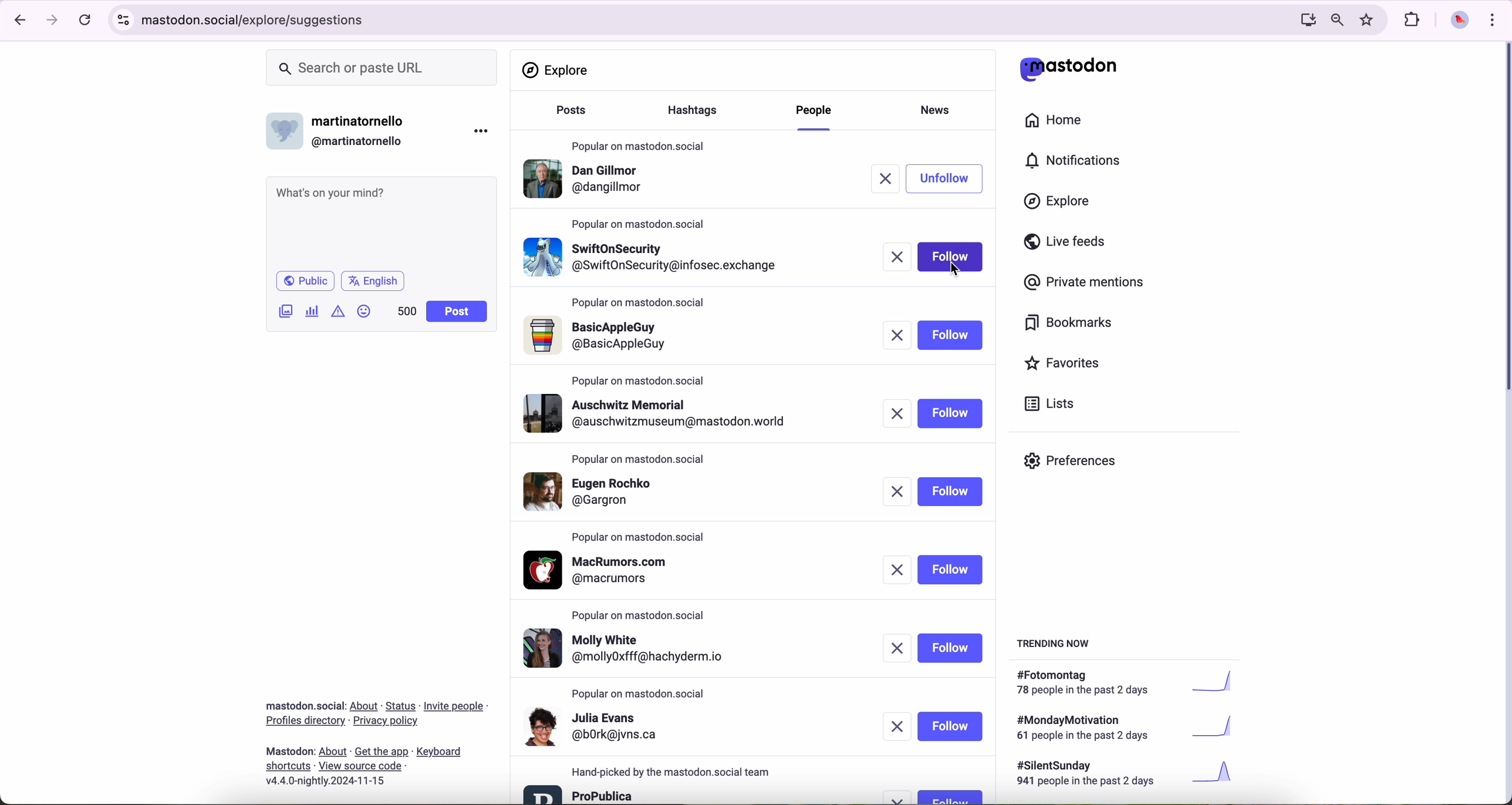 The height and width of the screenshot is (805, 1512). Describe the element at coordinates (1060, 123) in the screenshot. I see `home` at that location.